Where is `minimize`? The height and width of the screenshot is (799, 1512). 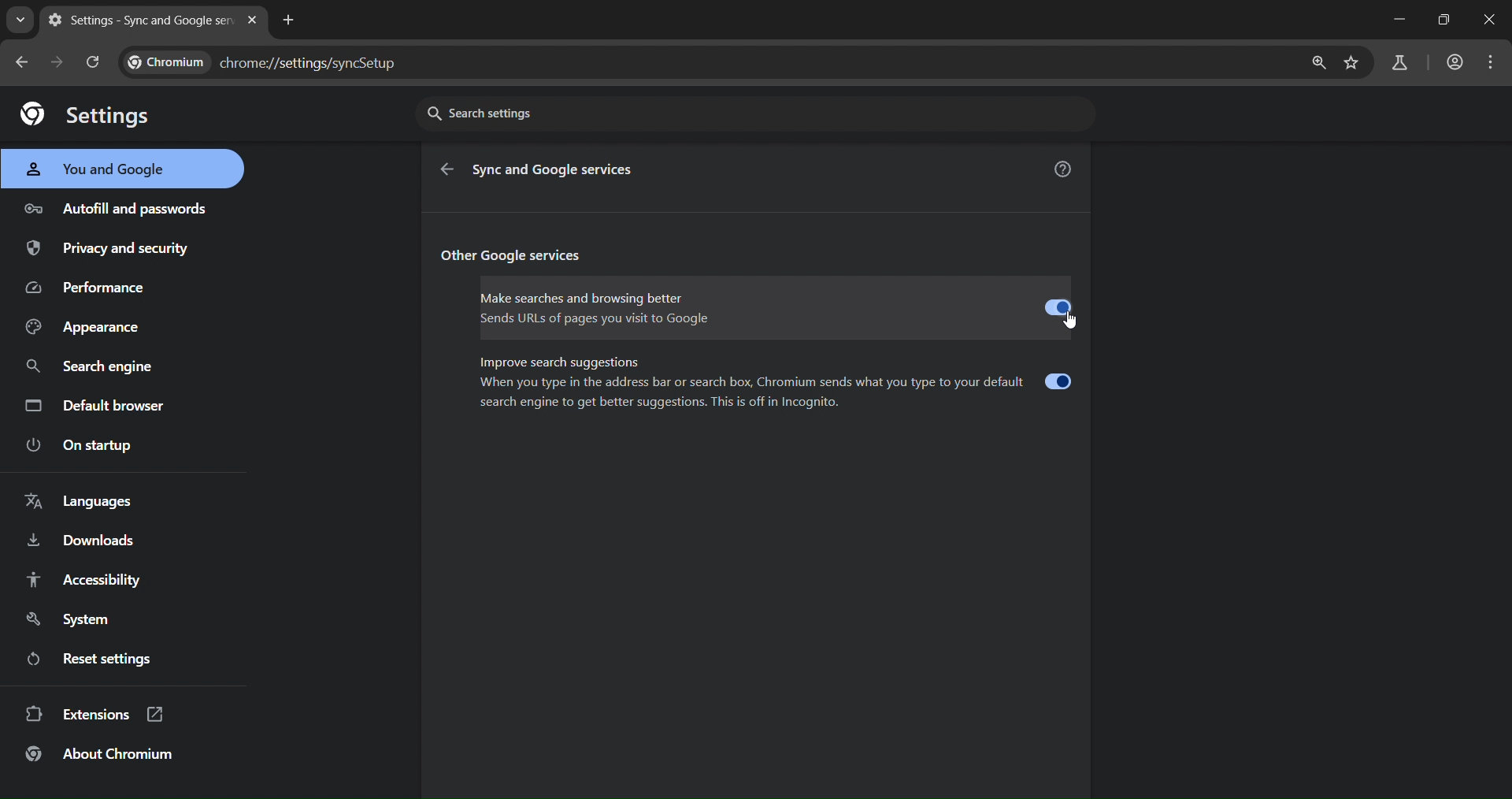 minimize is located at coordinates (1397, 19).